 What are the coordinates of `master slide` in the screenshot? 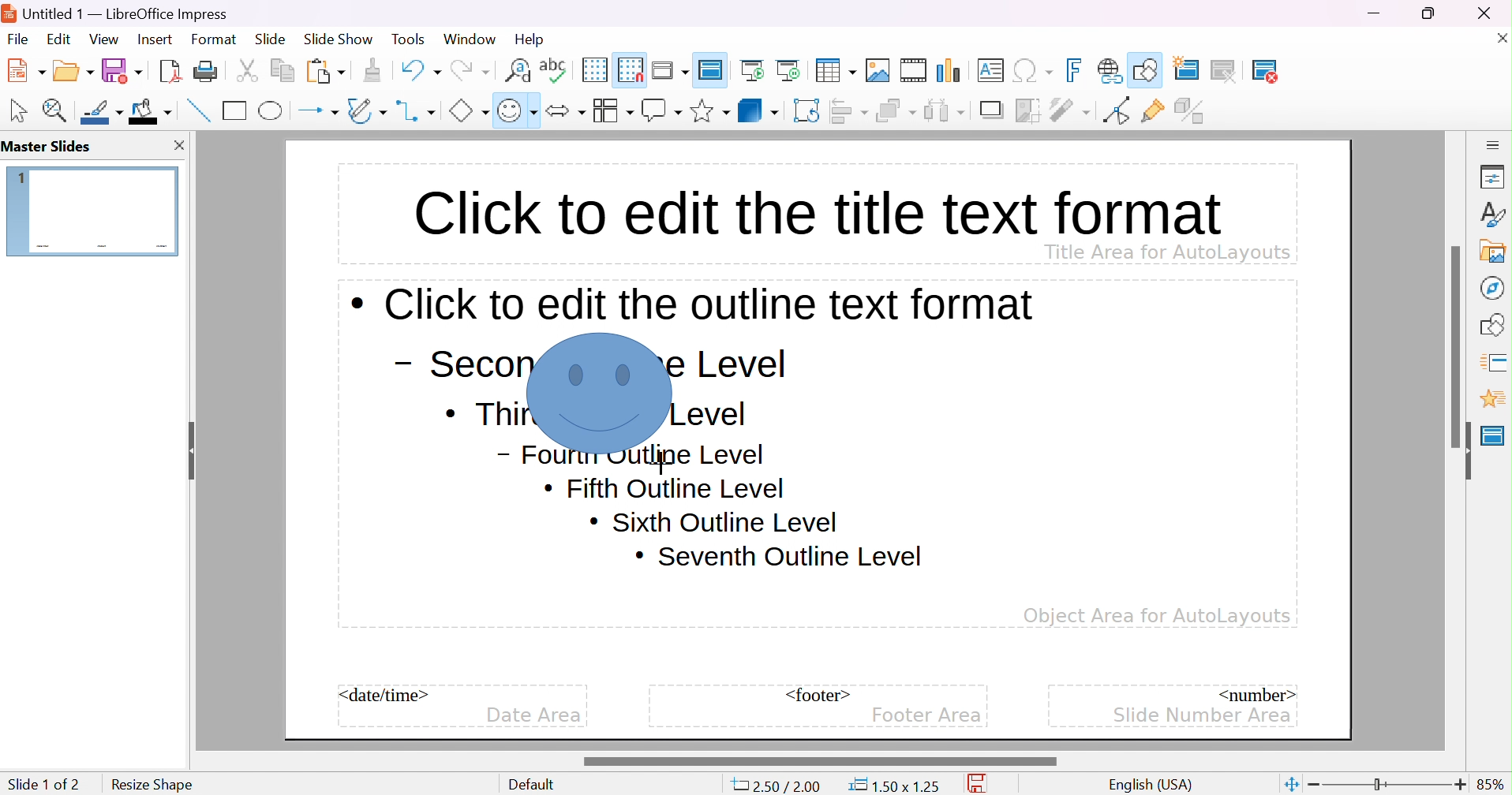 It's located at (1493, 435).